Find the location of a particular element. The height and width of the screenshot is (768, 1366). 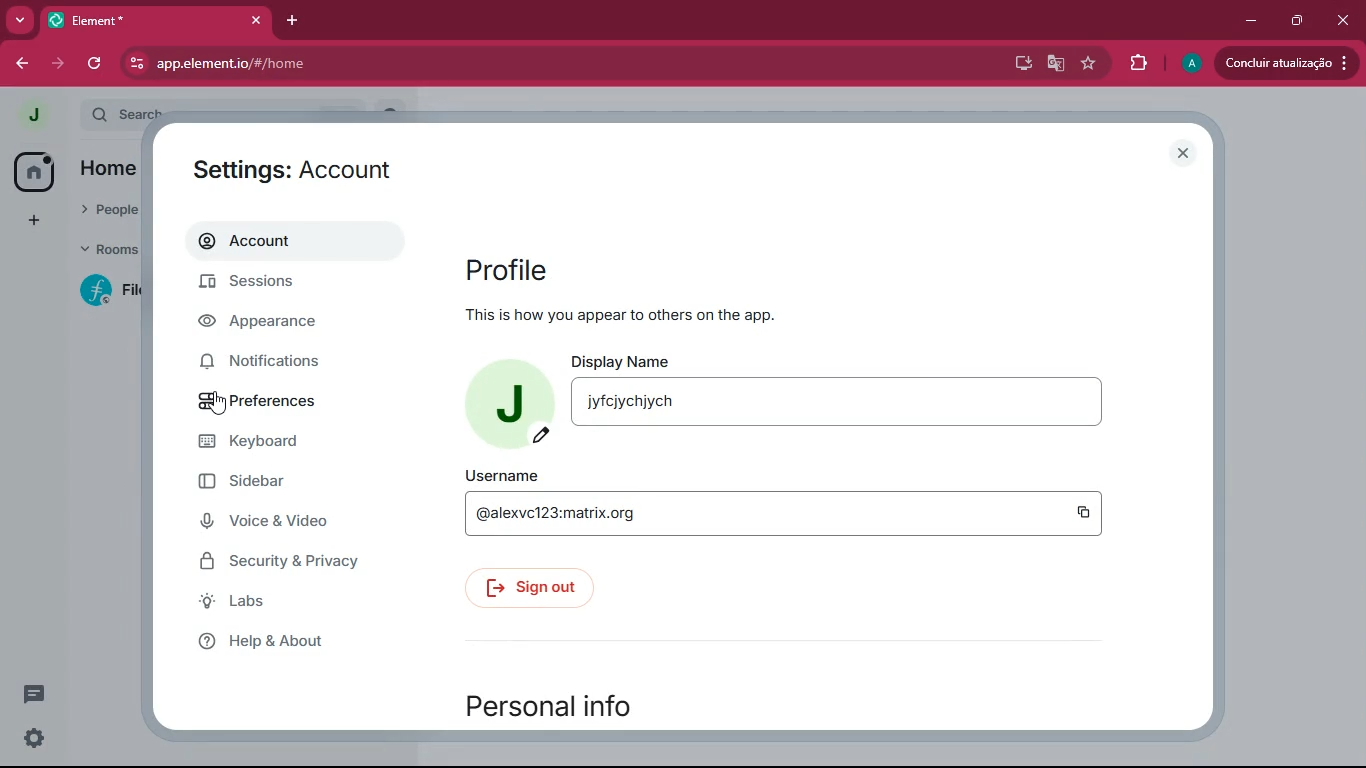

close is located at coordinates (1340, 19).